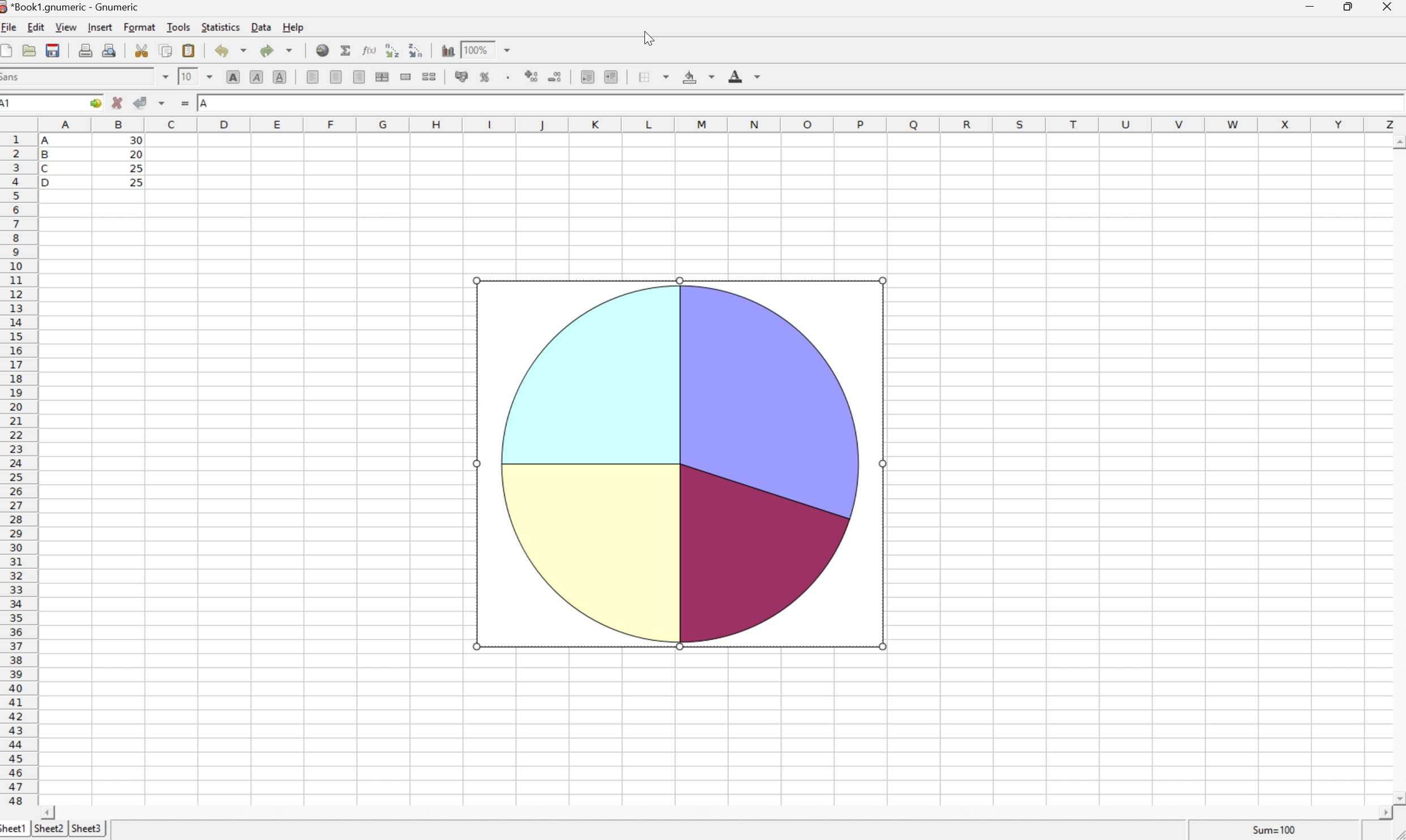  Describe the element at coordinates (371, 49) in the screenshot. I see `Edit function in current cell` at that location.